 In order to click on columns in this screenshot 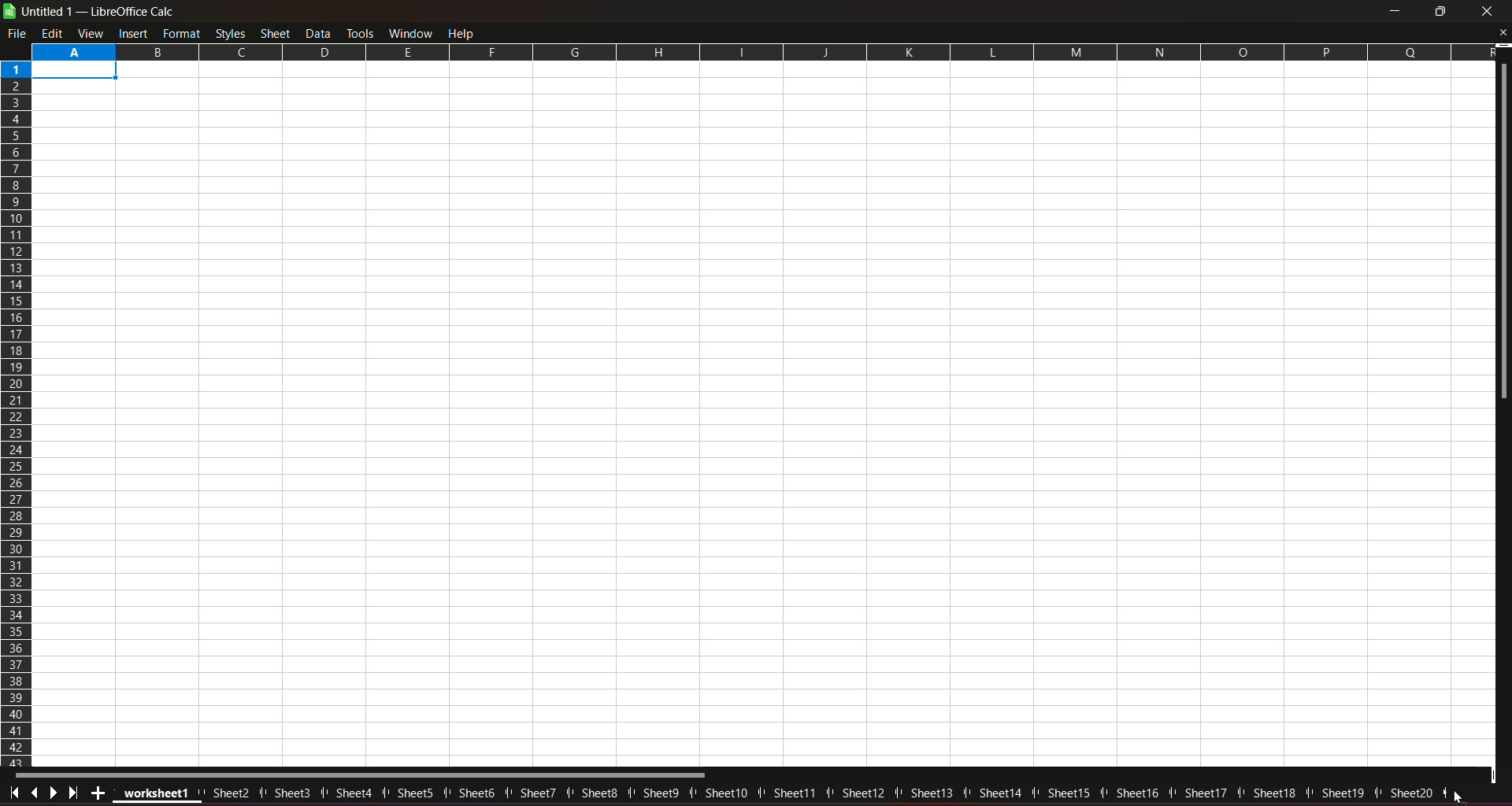, I will do `click(761, 50)`.